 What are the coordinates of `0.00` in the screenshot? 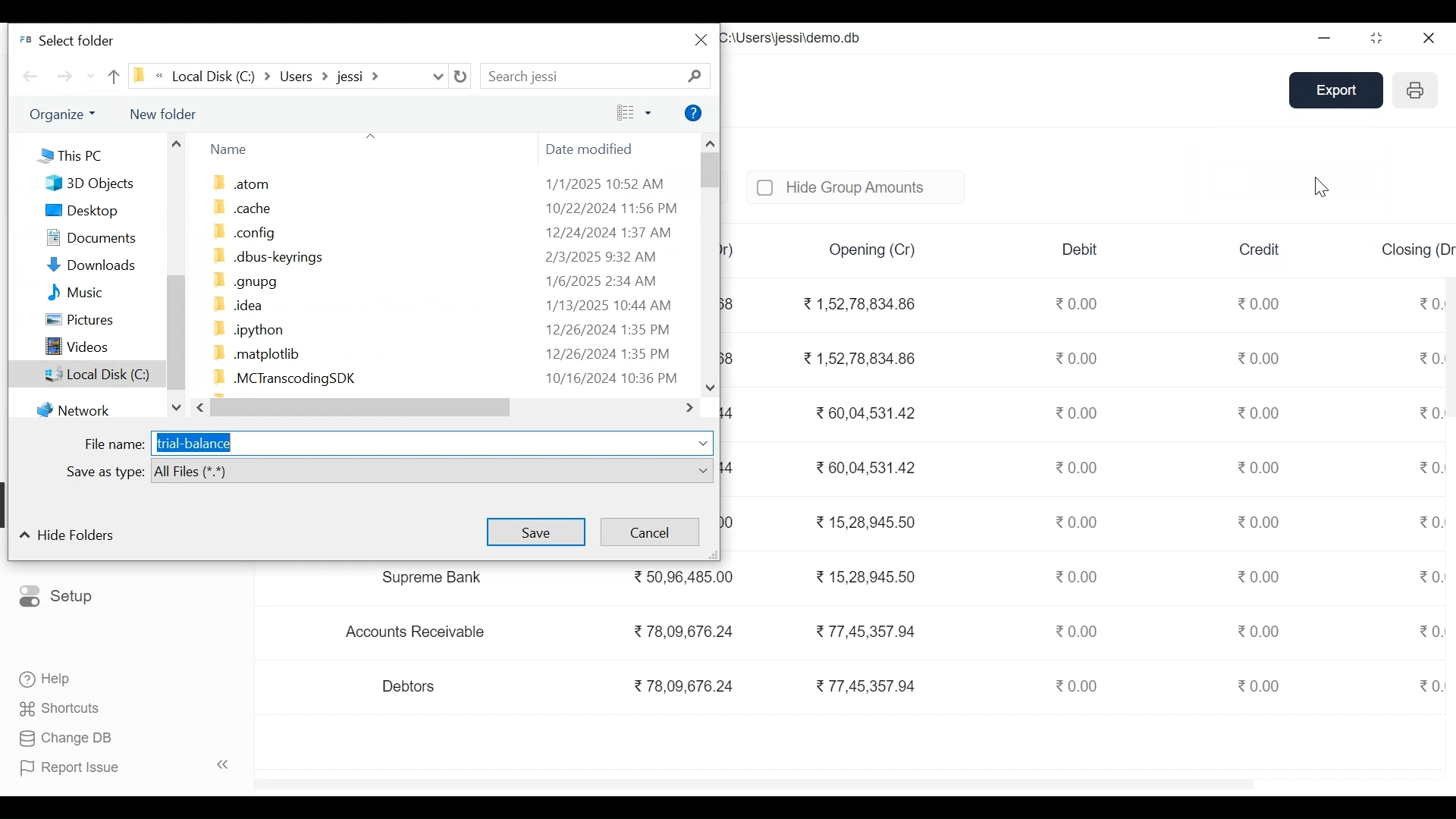 It's located at (1078, 303).